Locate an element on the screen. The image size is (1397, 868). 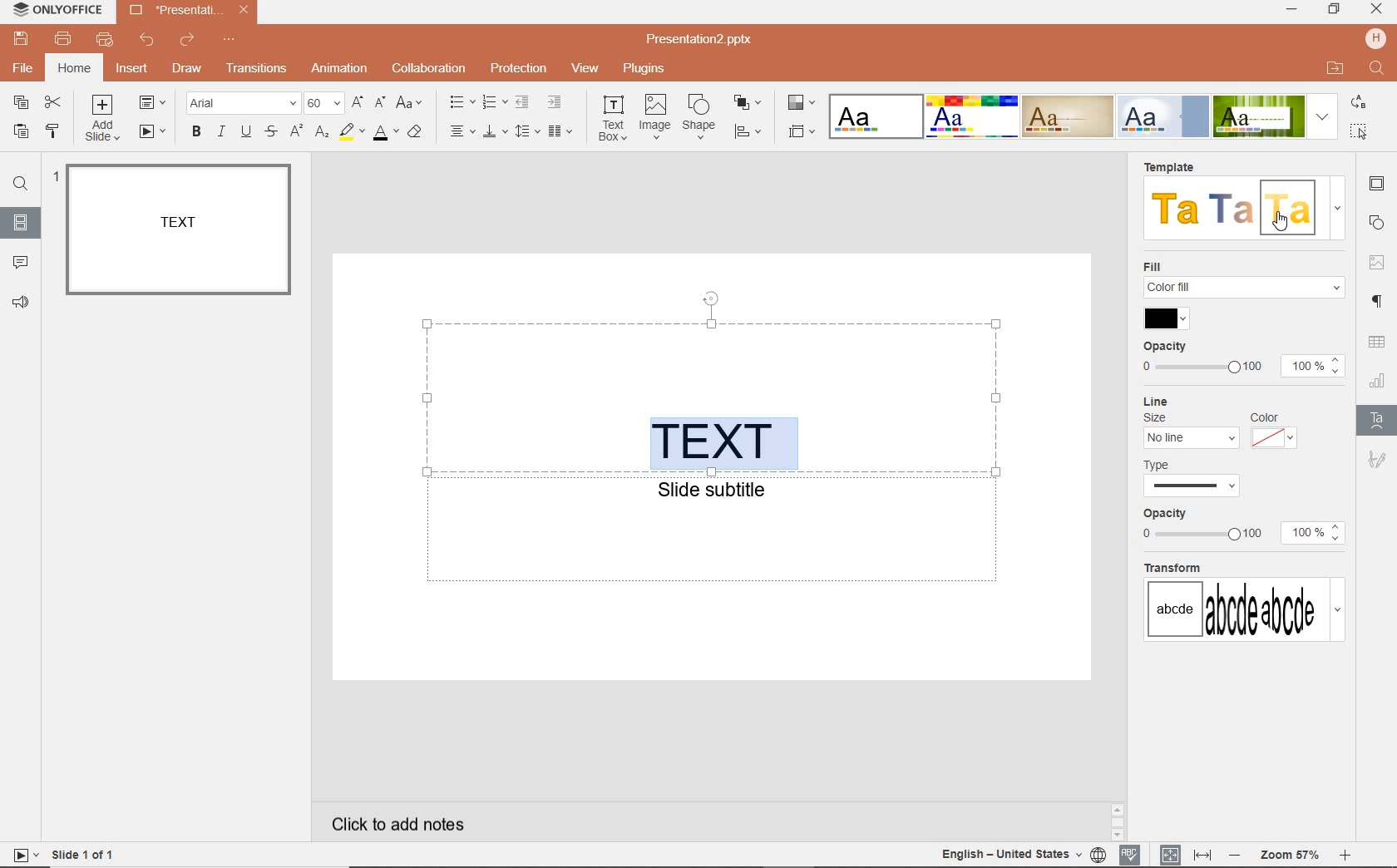
SUPERSCRIPT is located at coordinates (297, 132).